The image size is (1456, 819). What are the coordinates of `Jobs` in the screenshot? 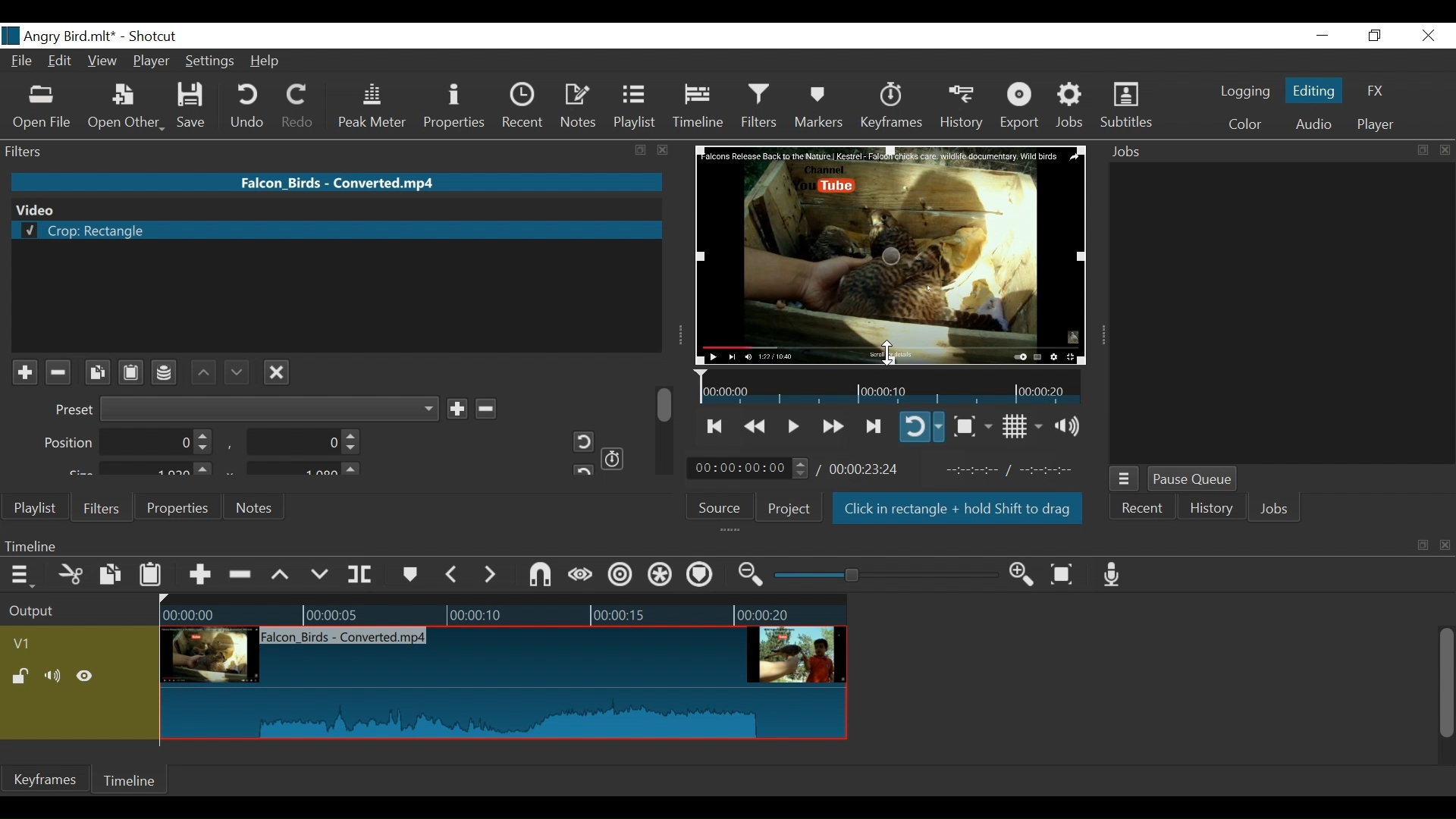 It's located at (1275, 510).